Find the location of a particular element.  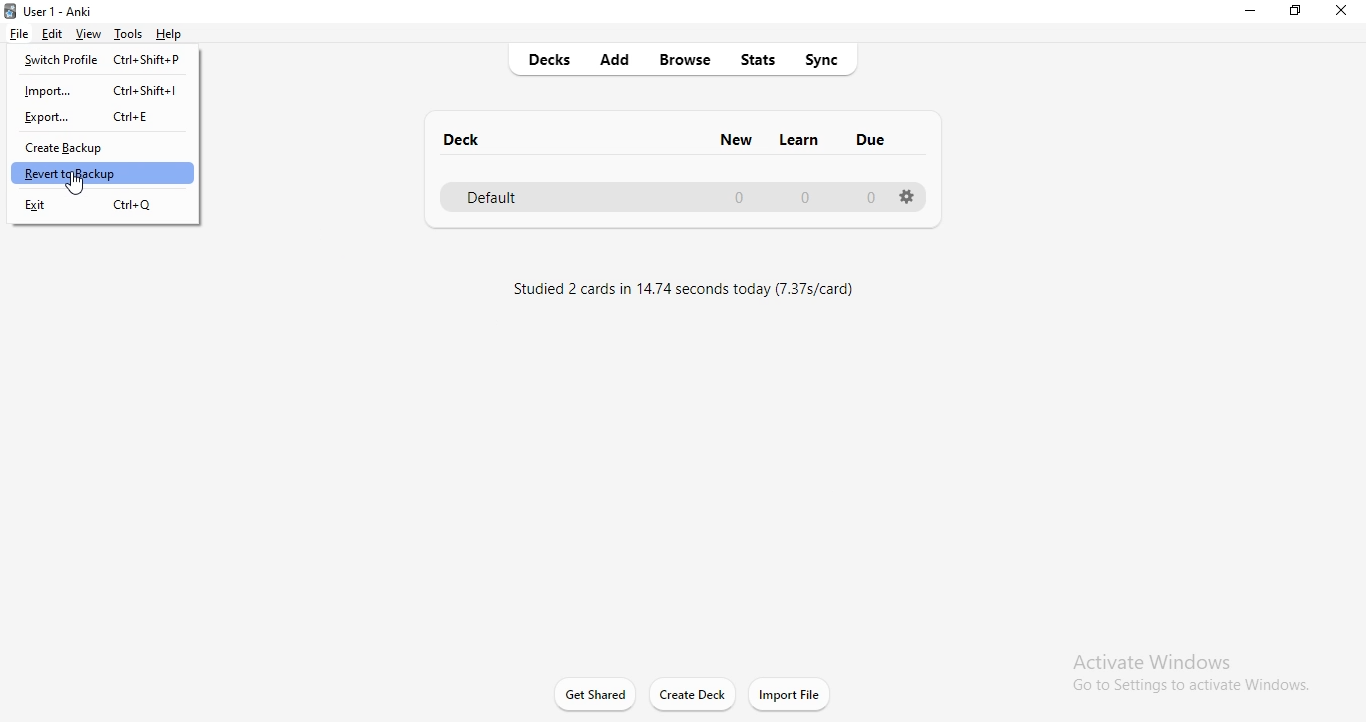

restore is located at coordinates (1298, 15).